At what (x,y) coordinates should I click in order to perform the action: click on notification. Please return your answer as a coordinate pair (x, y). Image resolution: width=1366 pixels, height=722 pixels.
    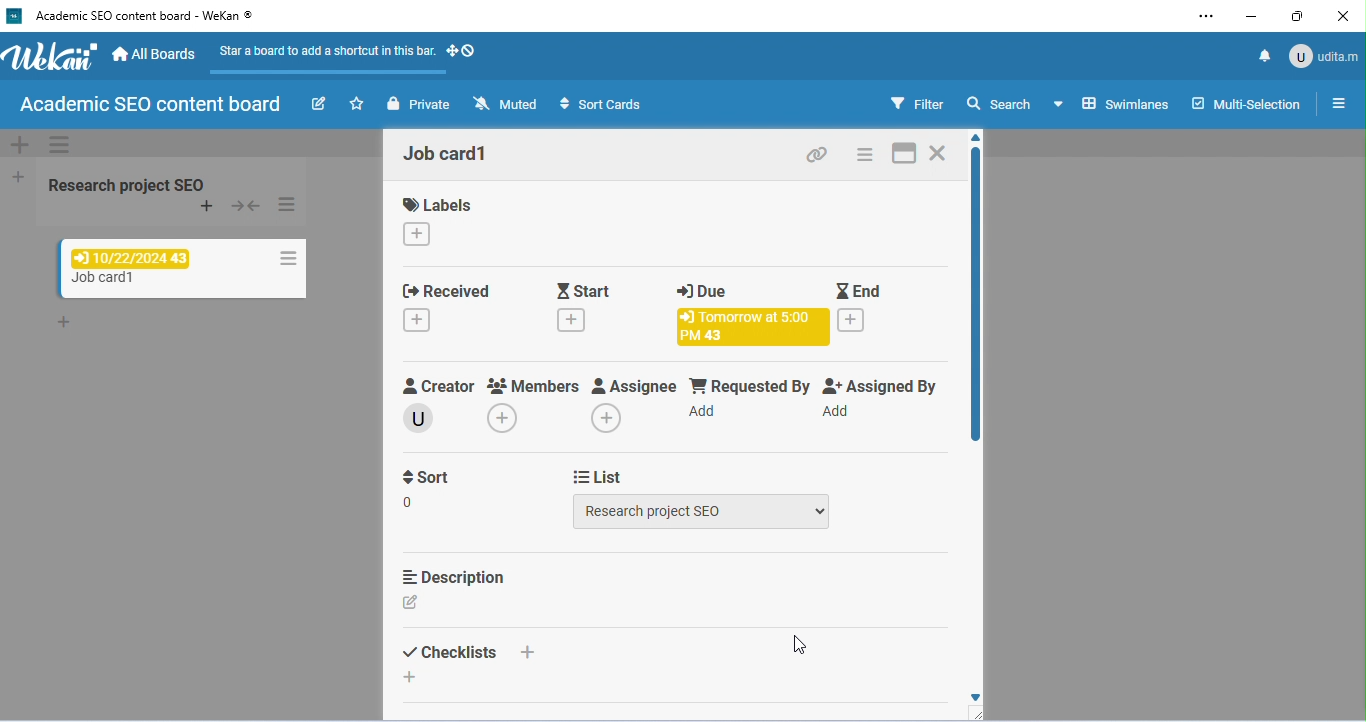
    Looking at the image, I should click on (1261, 54).